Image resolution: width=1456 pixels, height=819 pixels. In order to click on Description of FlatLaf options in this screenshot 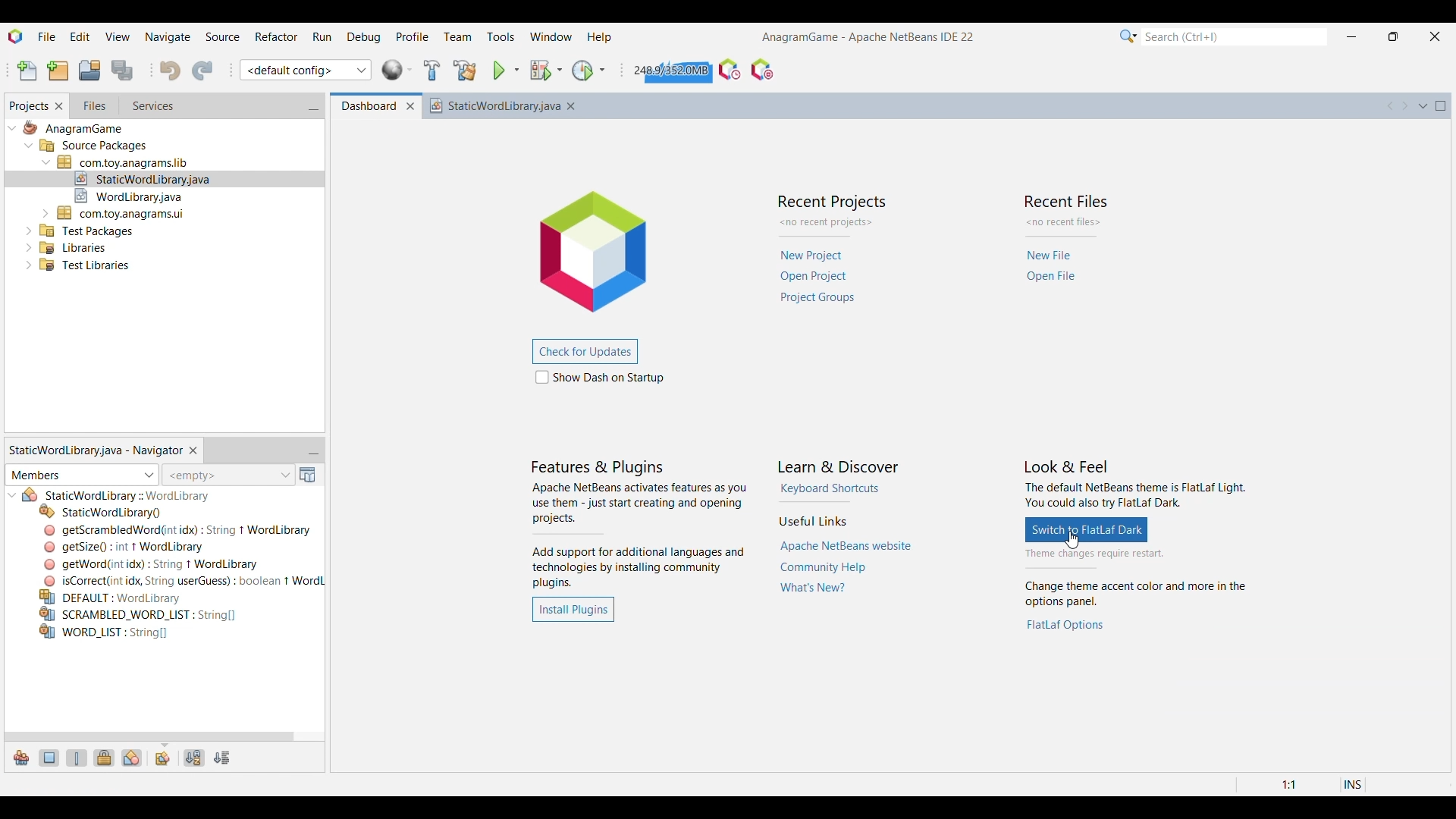, I will do `click(1138, 595)`.